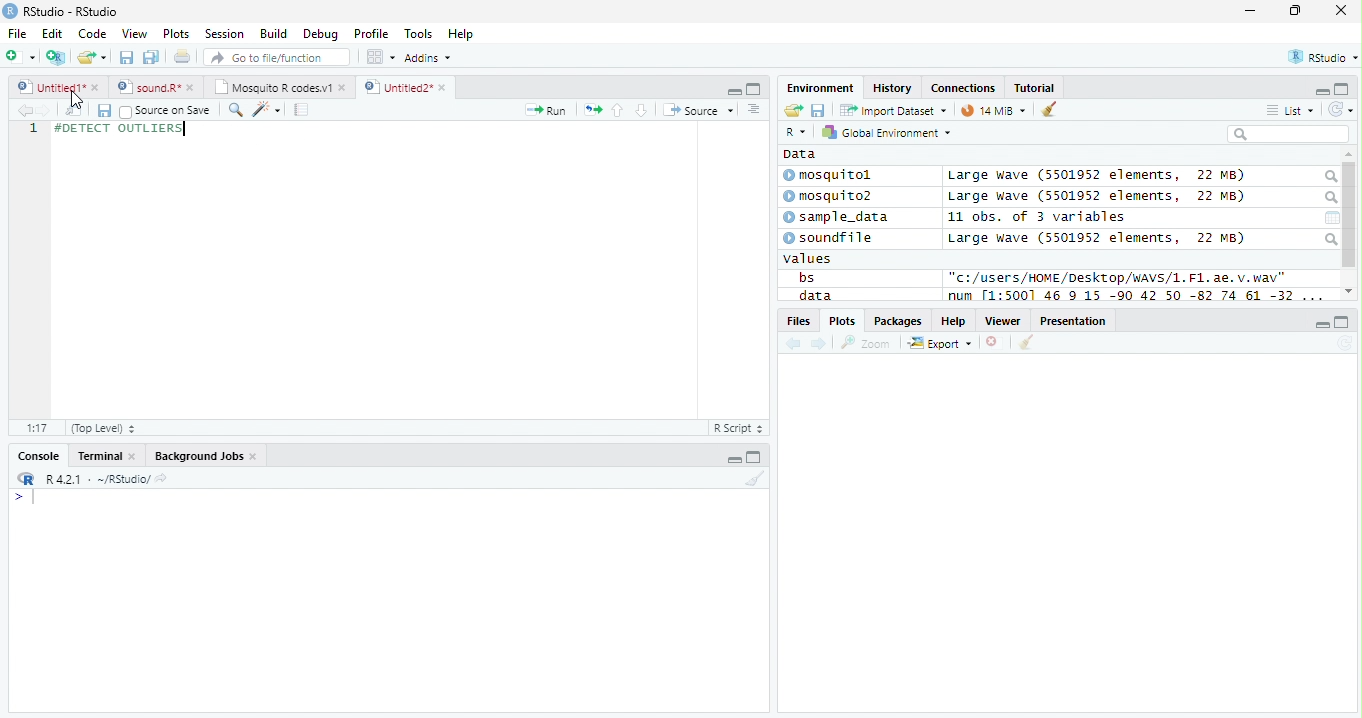  Describe the element at coordinates (53, 34) in the screenshot. I see `Edit` at that location.